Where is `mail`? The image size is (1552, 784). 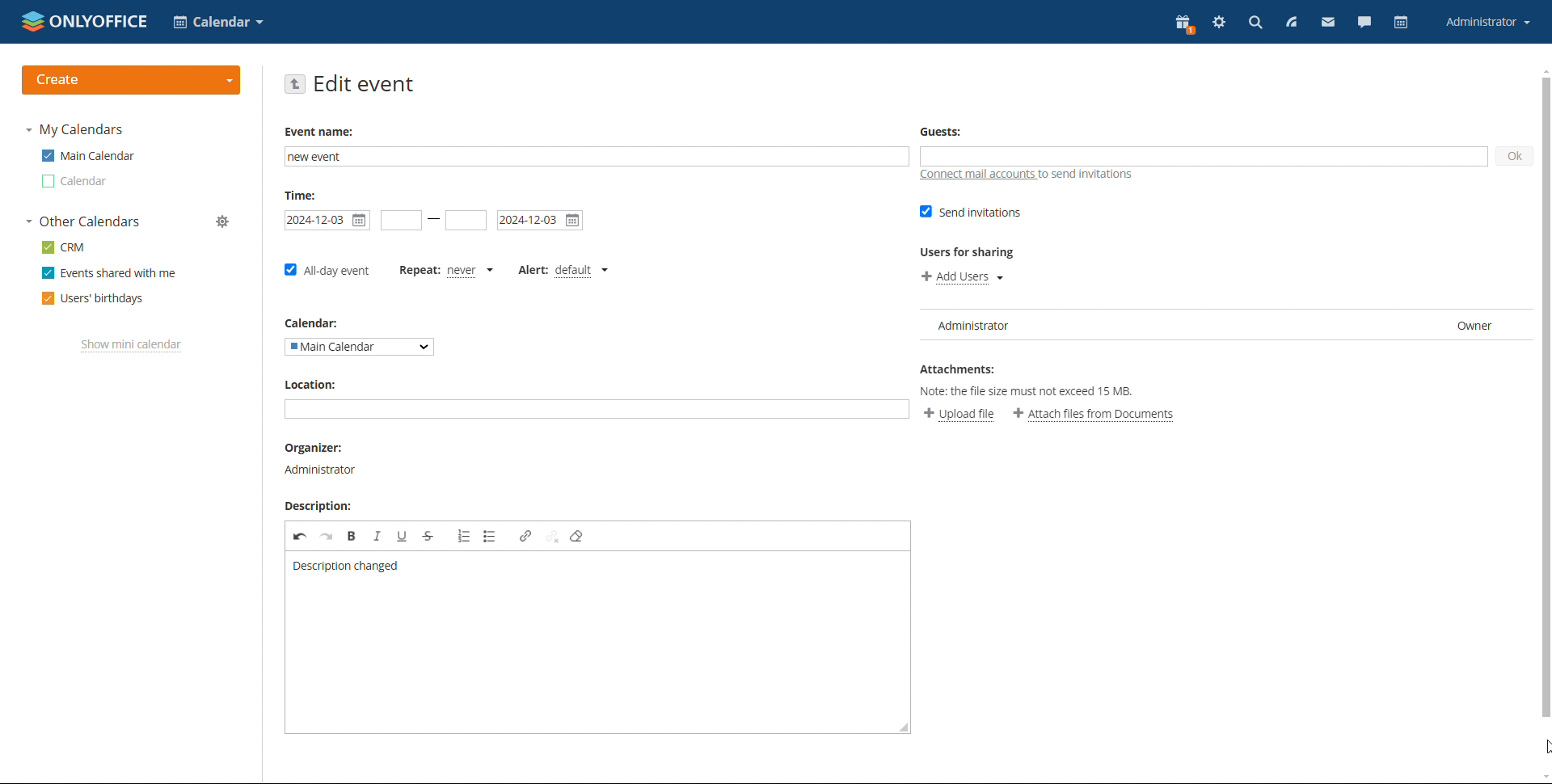
mail is located at coordinates (1327, 23).